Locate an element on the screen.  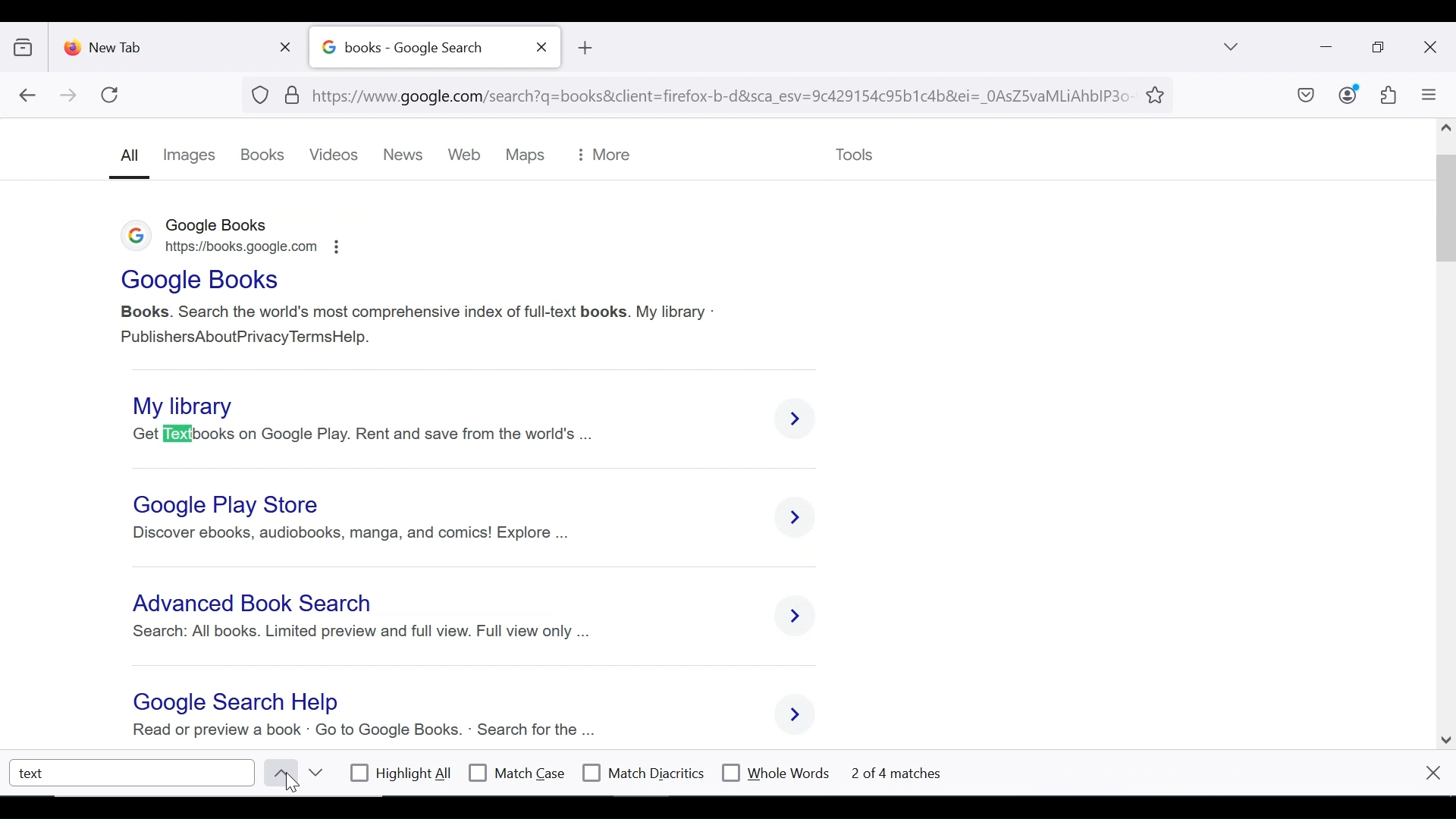
all is located at coordinates (127, 159).